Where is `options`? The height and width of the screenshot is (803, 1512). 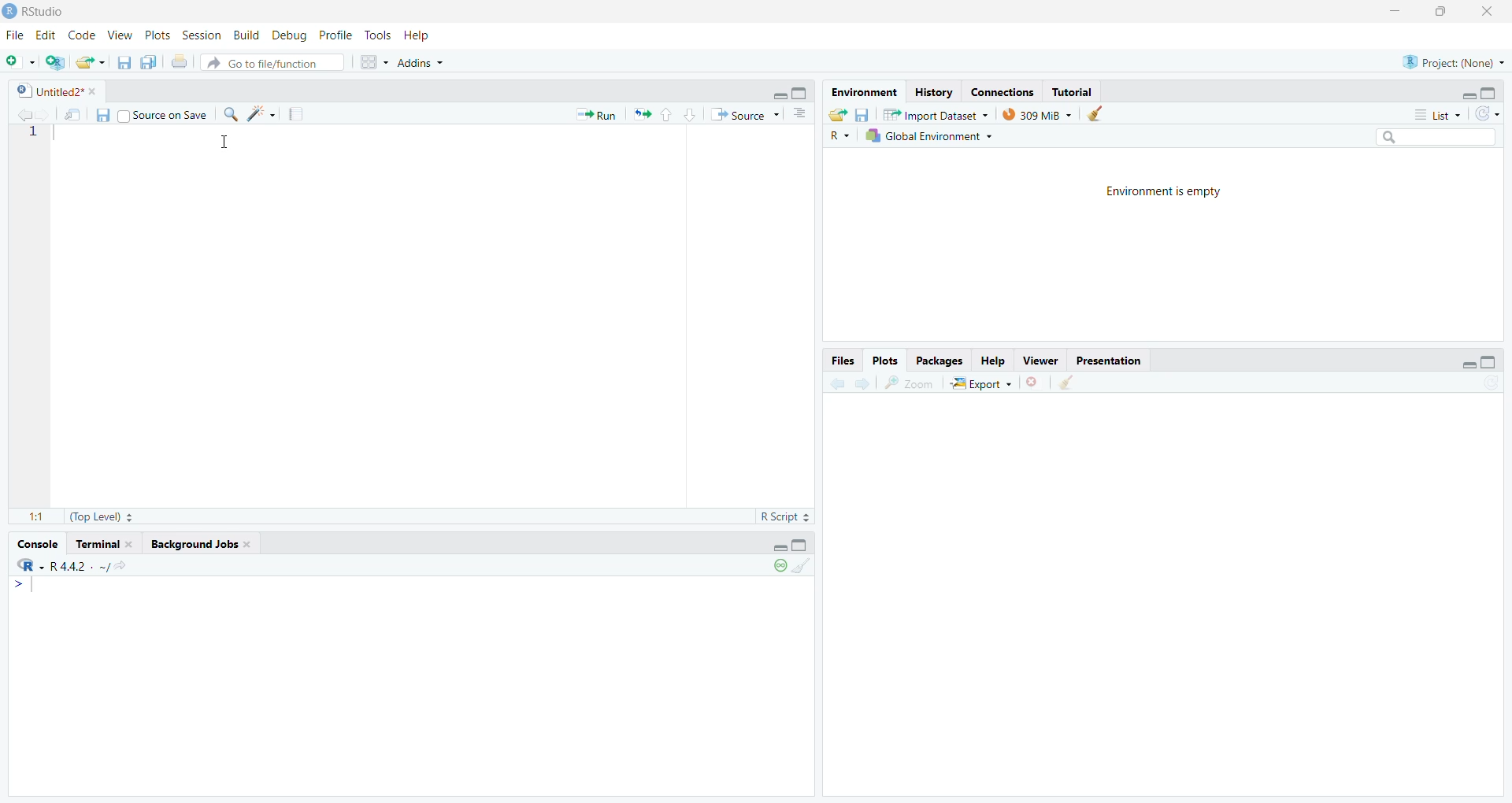 options is located at coordinates (798, 117).